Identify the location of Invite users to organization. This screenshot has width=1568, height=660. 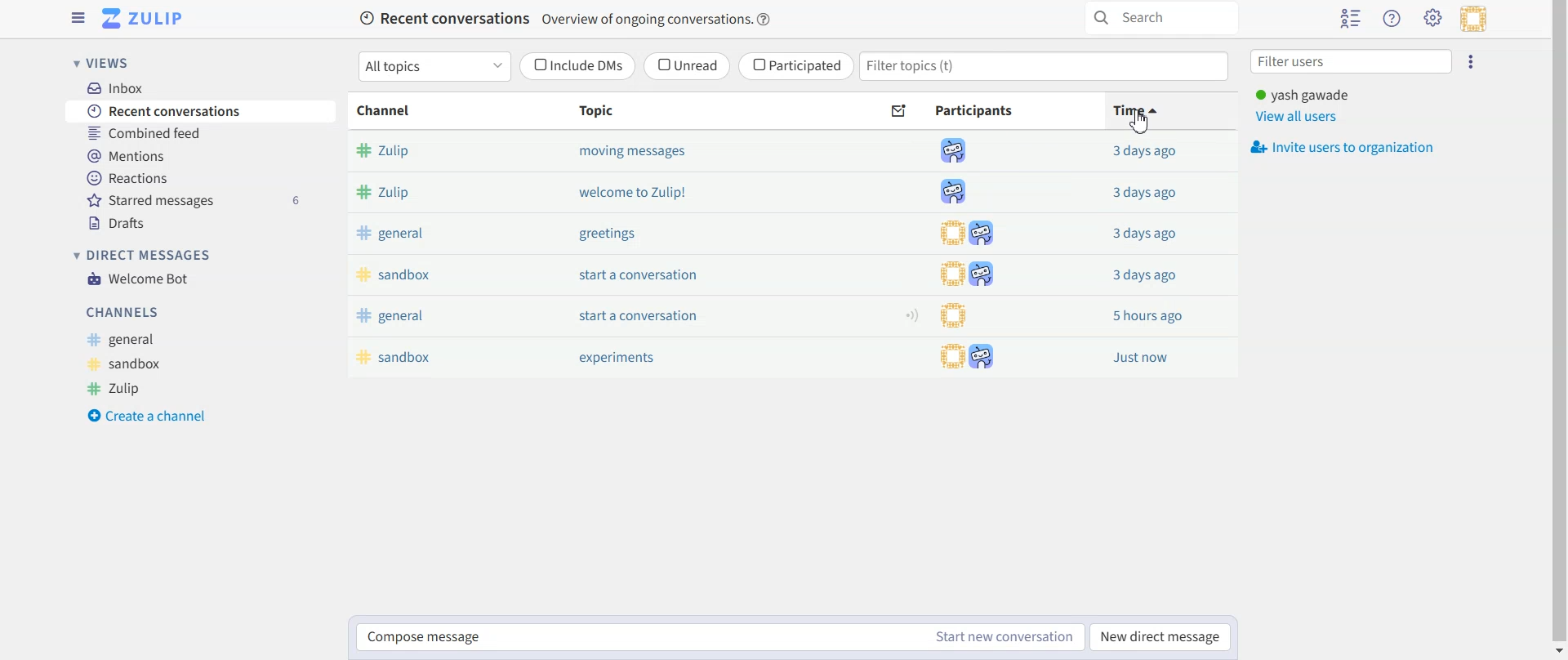
(1343, 147).